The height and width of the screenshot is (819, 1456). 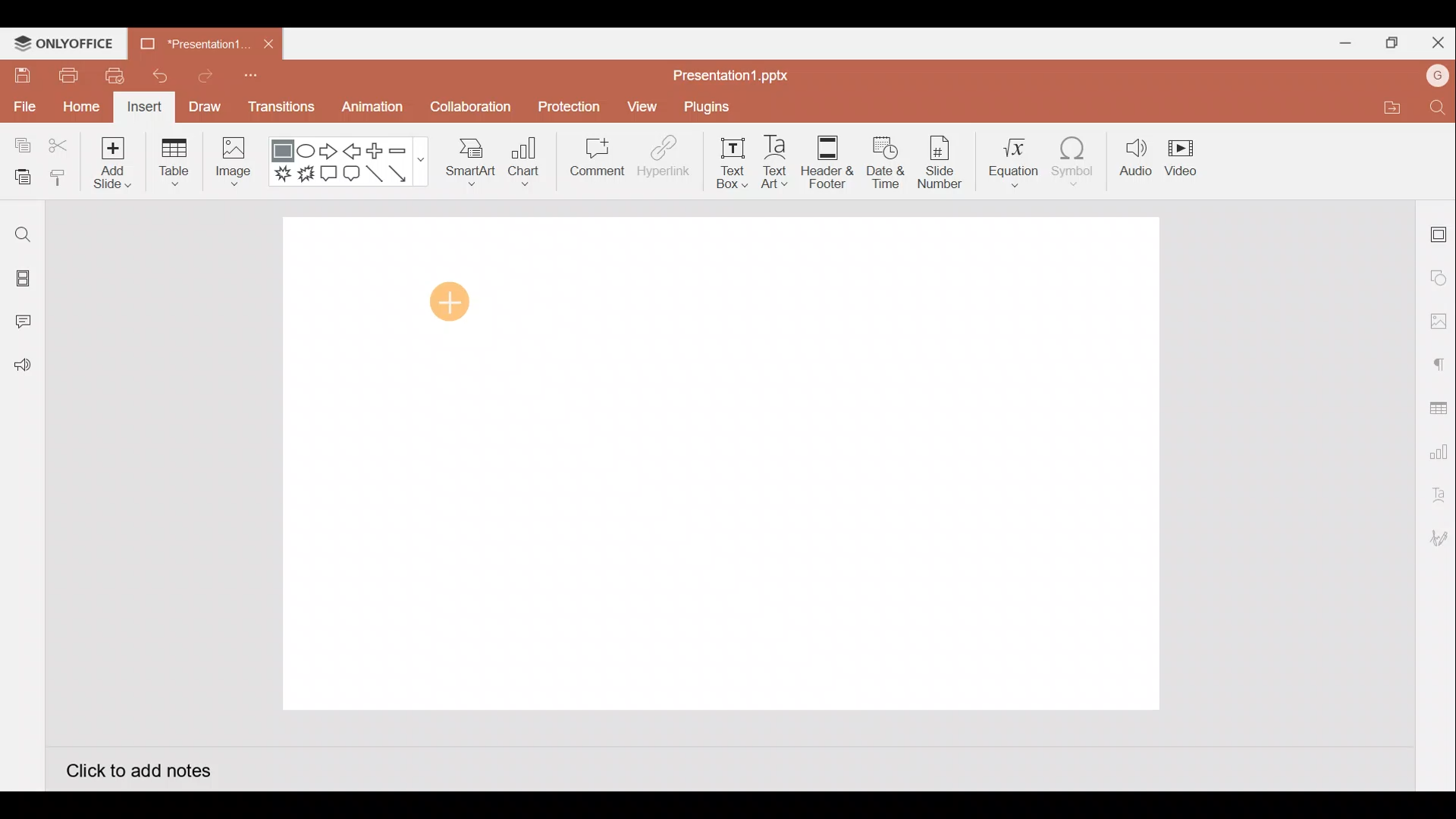 I want to click on Transitions, so click(x=282, y=111).